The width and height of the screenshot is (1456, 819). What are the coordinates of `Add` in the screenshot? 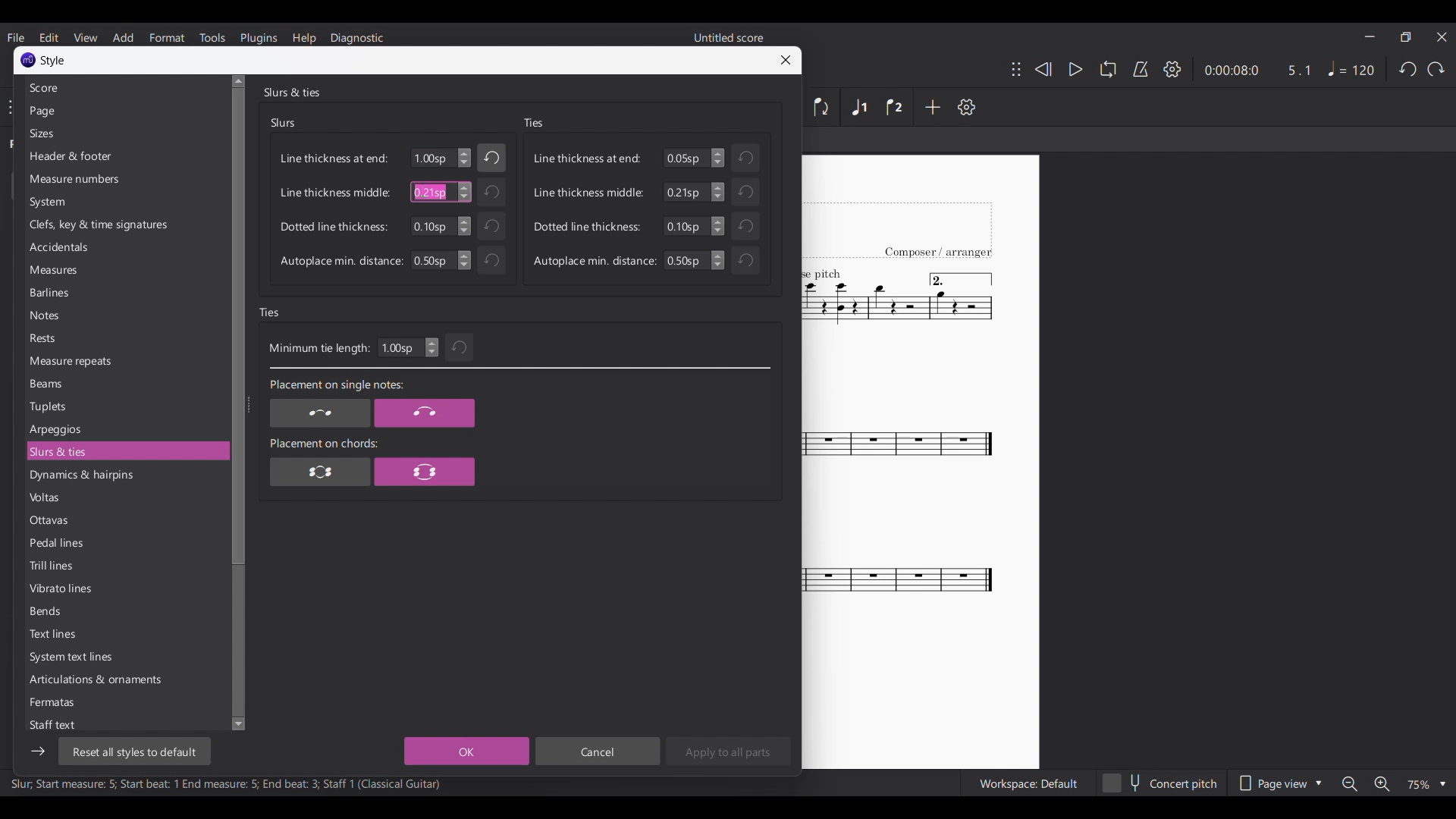 It's located at (933, 107).